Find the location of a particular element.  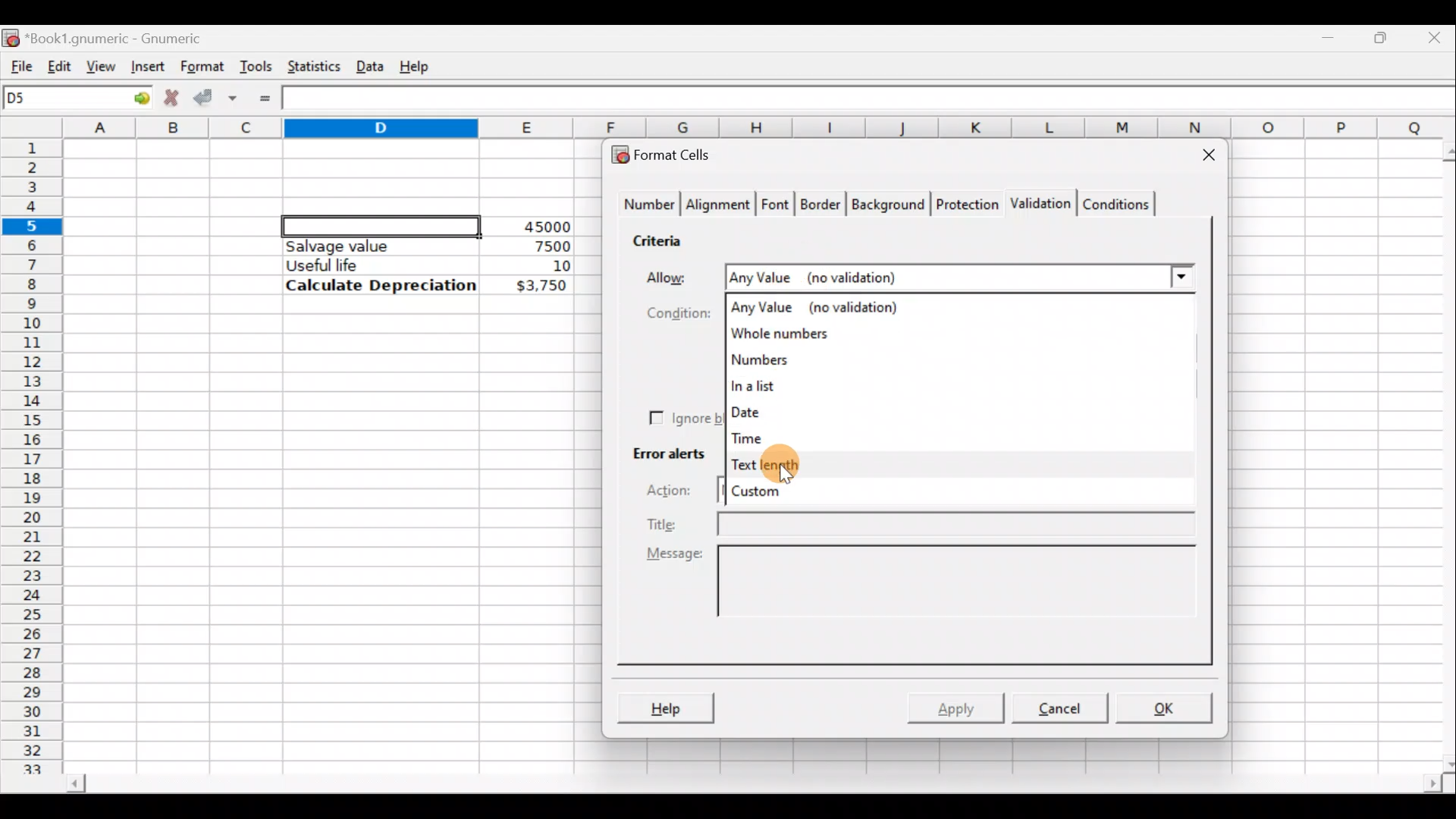

Criteria is located at coordinates (663, 238).